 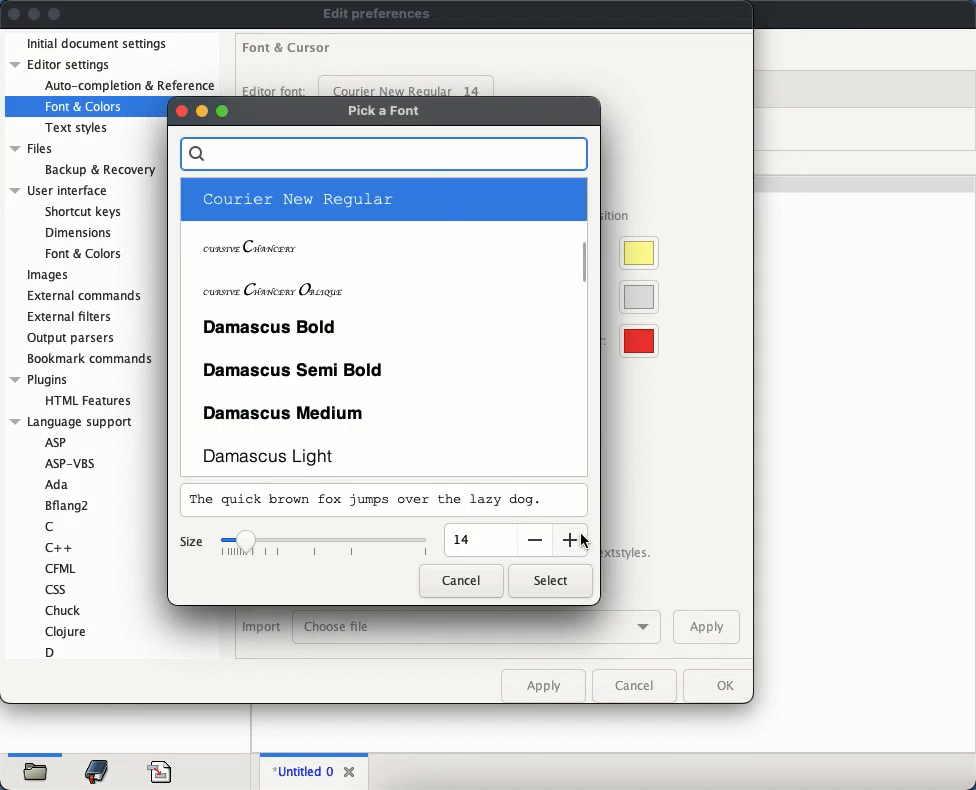 I want to click on untitled, so click(x=300, y=772).